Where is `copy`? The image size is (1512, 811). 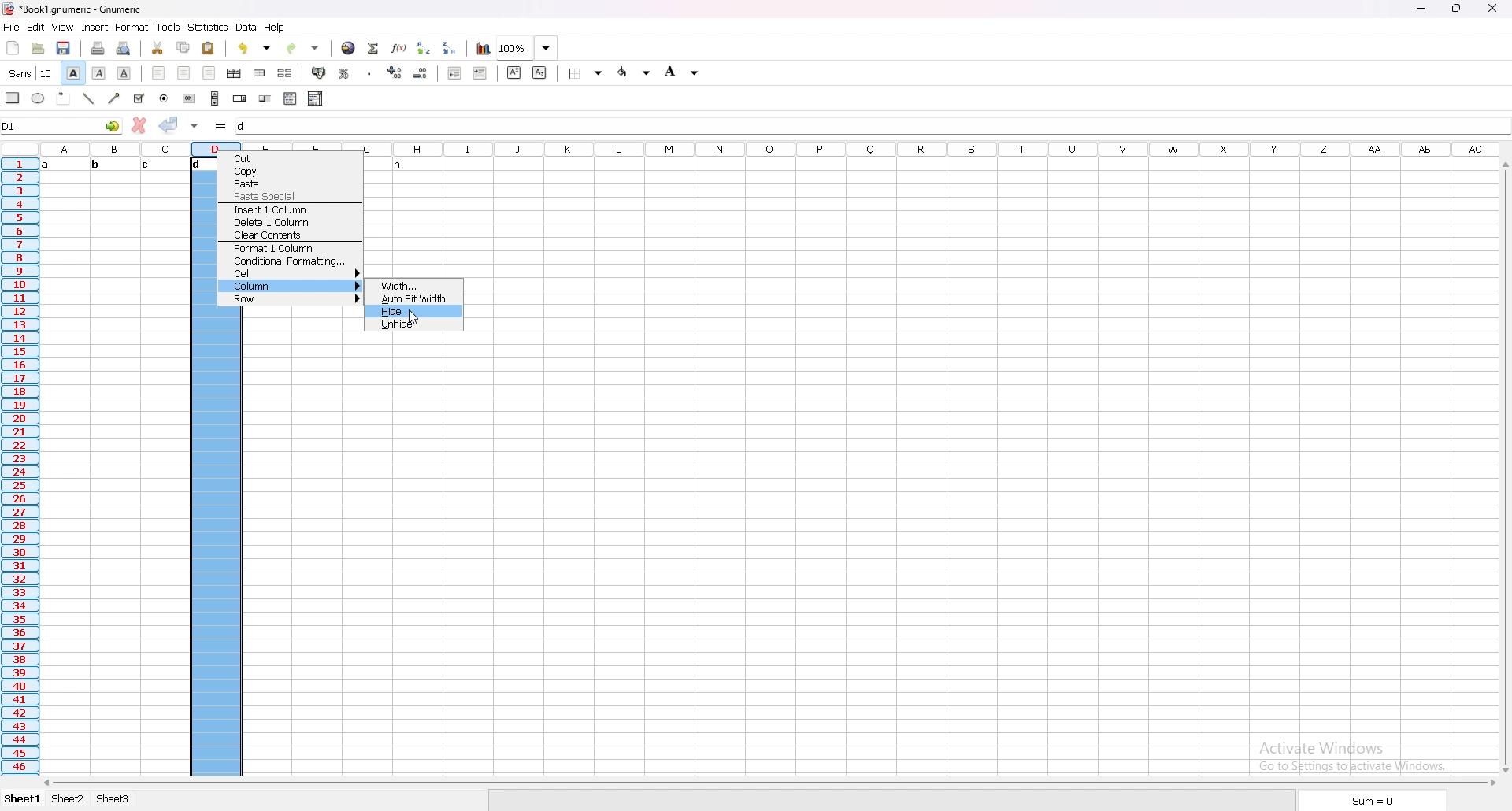 copy is located at coordinates (184, 46).